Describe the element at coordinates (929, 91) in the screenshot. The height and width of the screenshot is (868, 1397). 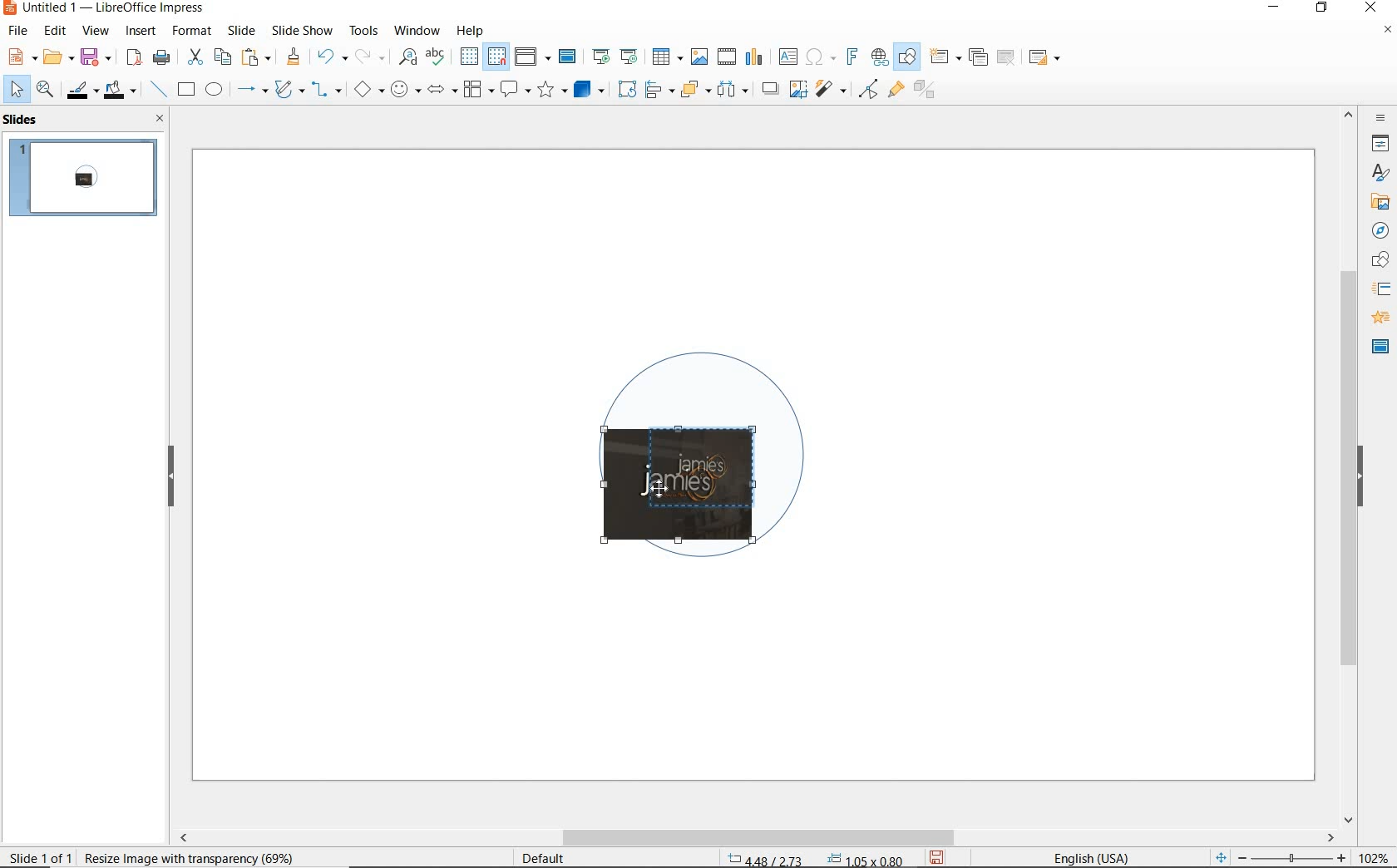
I see `toggle extrusion` at that location.